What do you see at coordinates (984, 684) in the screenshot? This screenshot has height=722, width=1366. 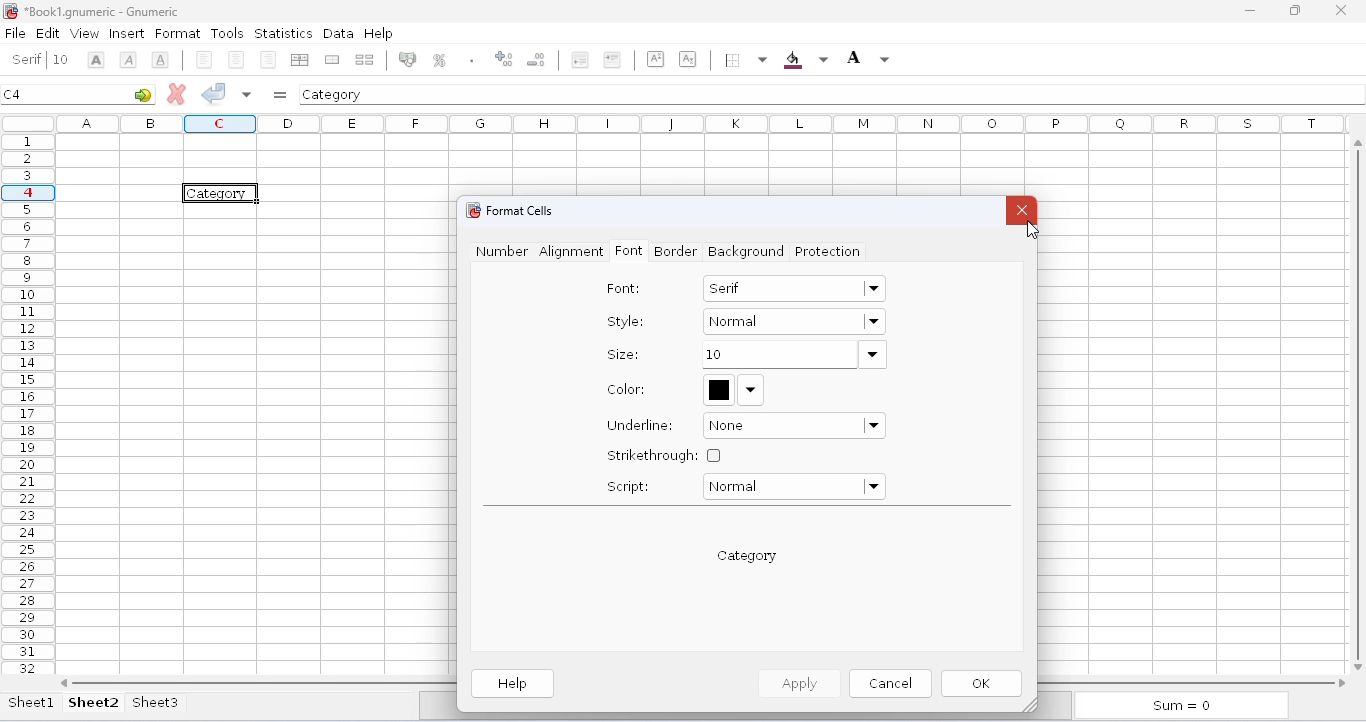 I see `OK` at bounding box center [984, 684].